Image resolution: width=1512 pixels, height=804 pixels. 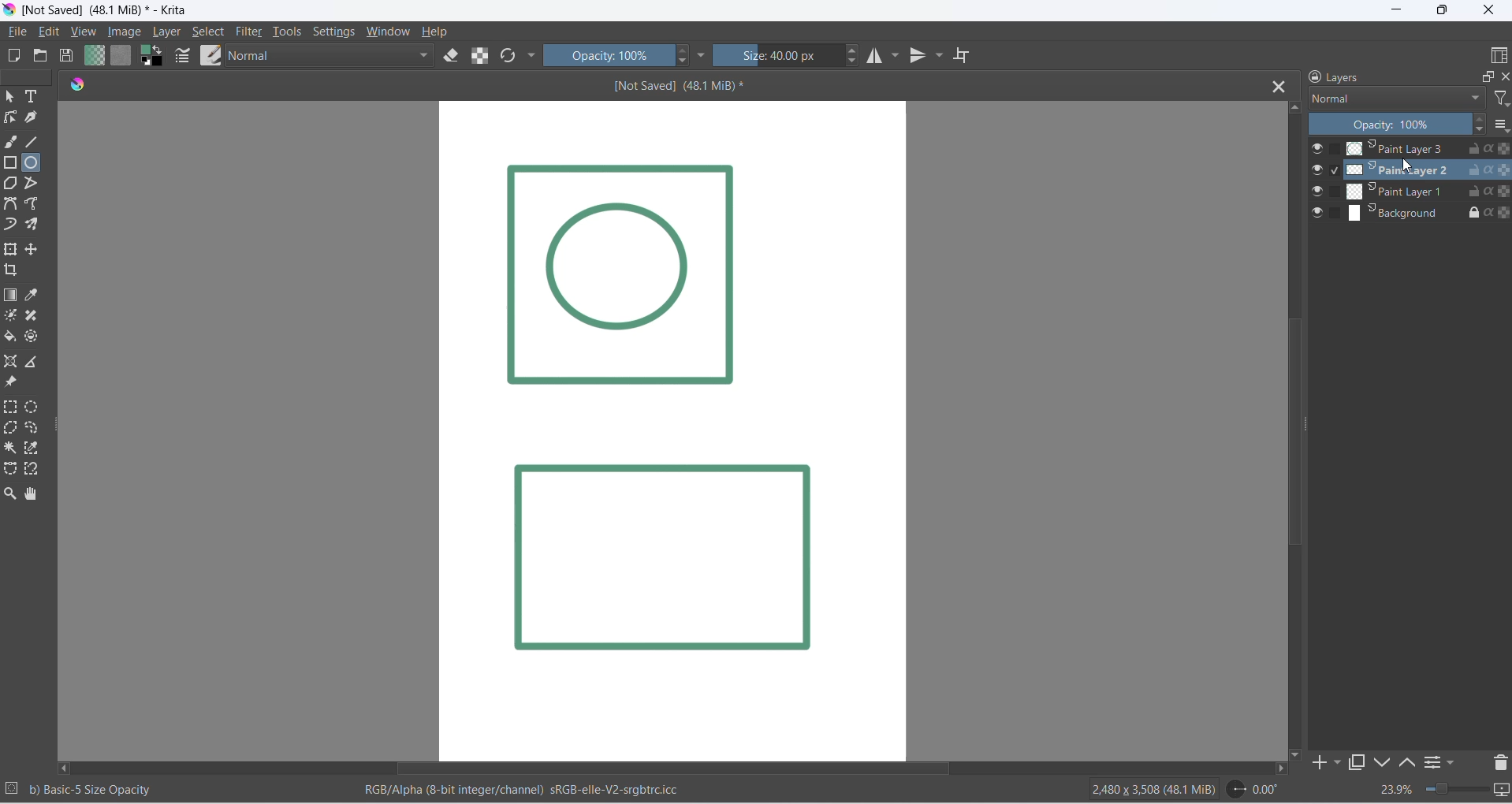 I want to click on paint layer 2, so click(x=1397, y=192).